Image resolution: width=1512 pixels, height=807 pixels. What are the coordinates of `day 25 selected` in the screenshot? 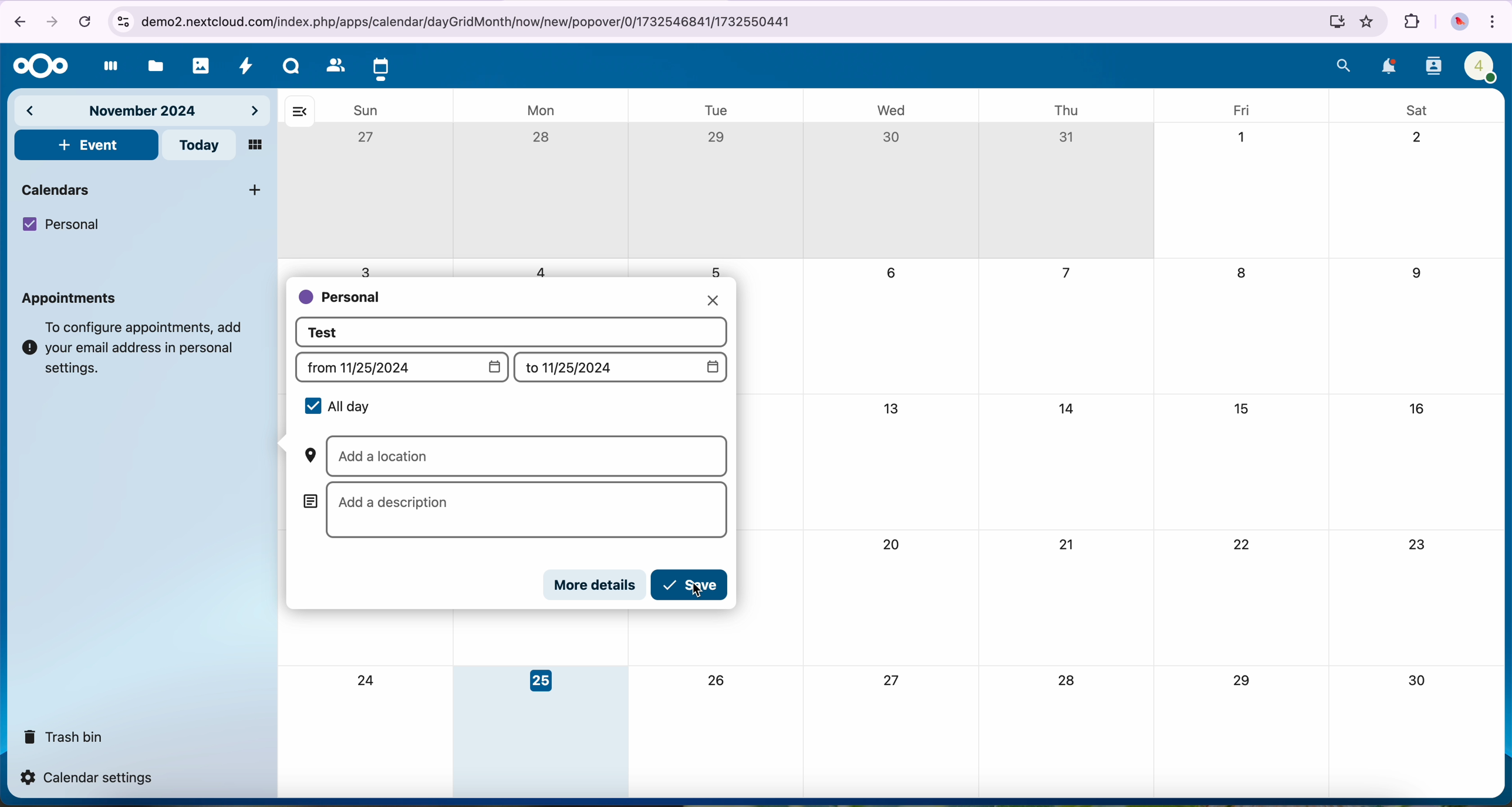 It's located at (544, 734).